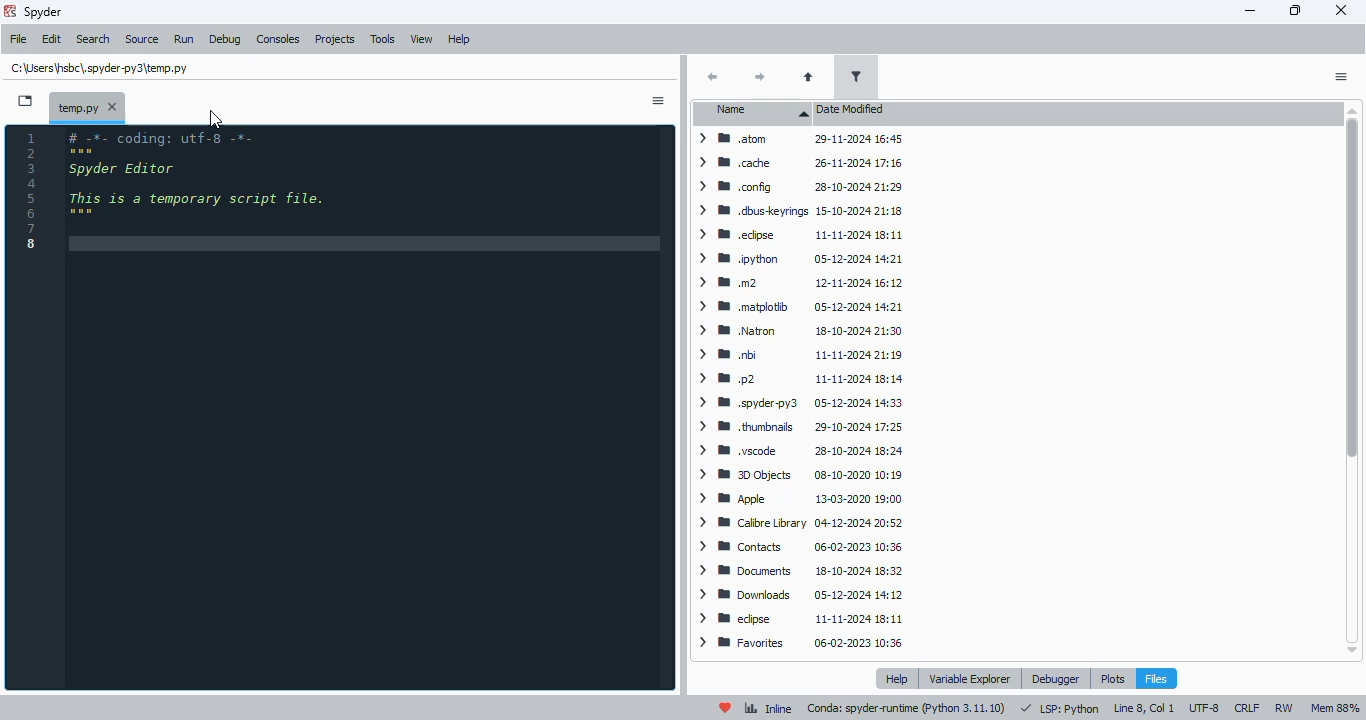 This screenshot has width=1366, height=720. I want to click on variable explorer, so click(970, 677).